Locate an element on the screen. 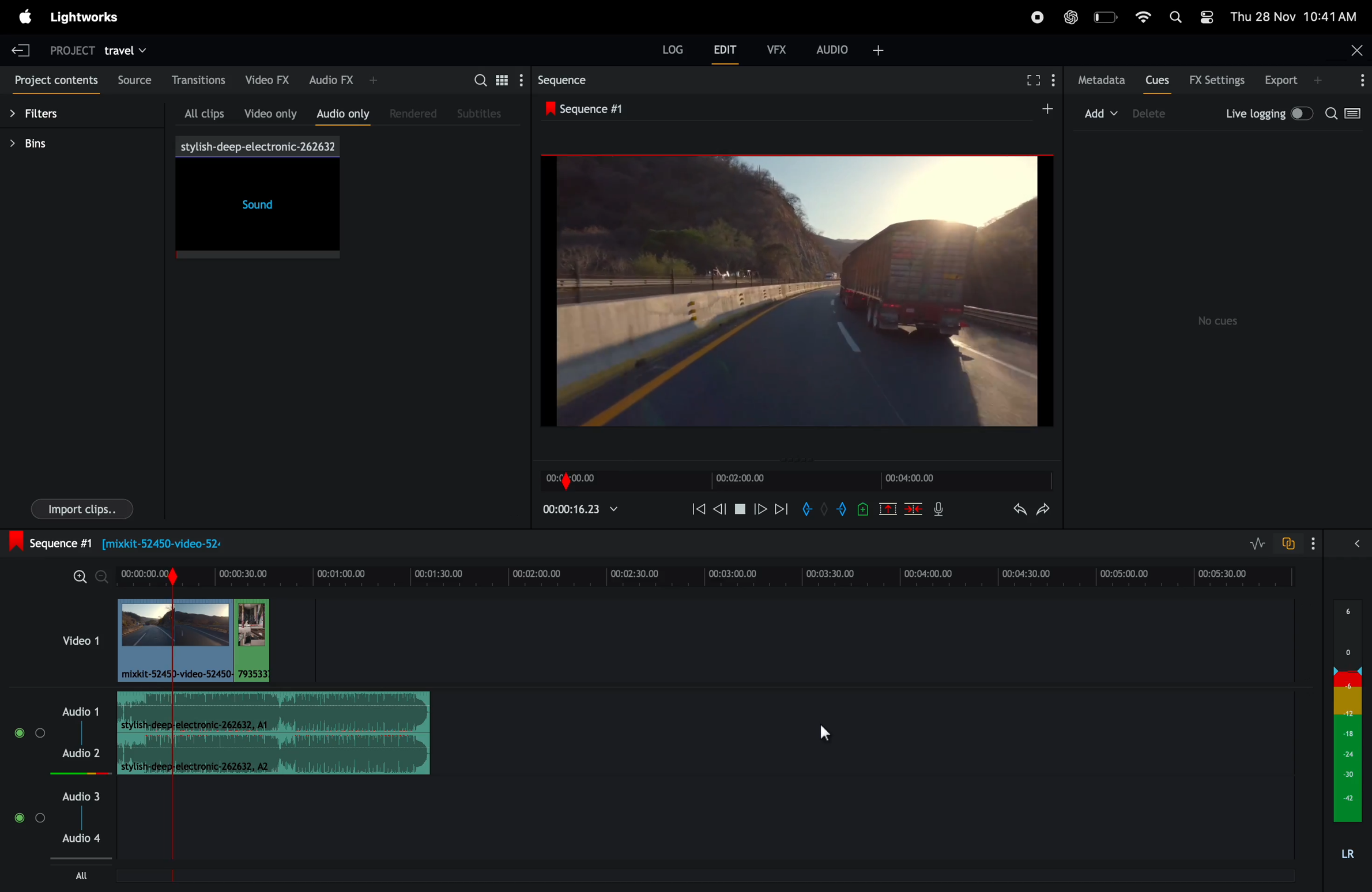 This screenshot has height=892, width=1372. Solo track is located at coordinates (45, 735).